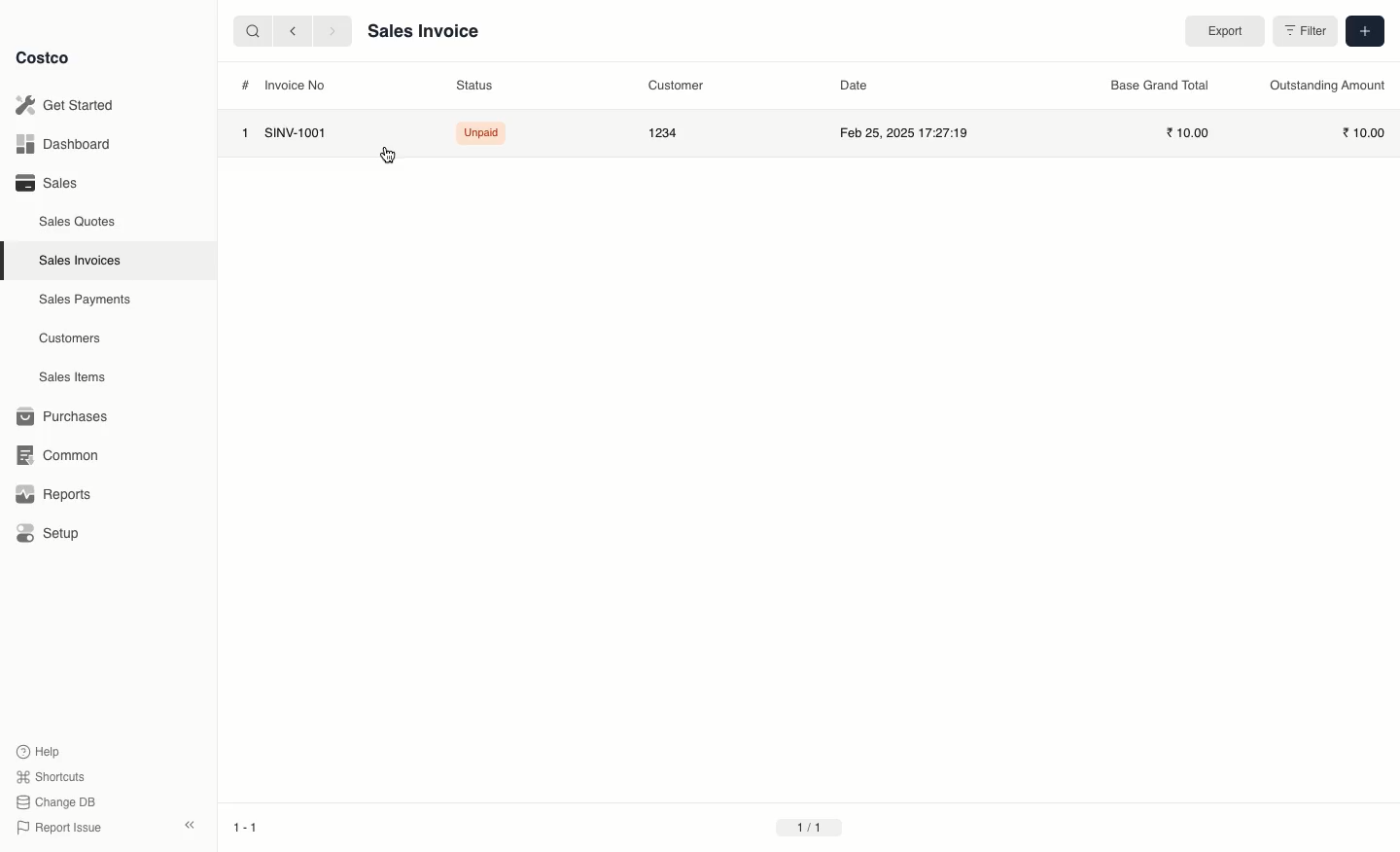 The image size is (1400, 852). What do you see at coordinates (68, 142) in the screenshot?
I see `Dashboard` at bounding box center [68, 142].